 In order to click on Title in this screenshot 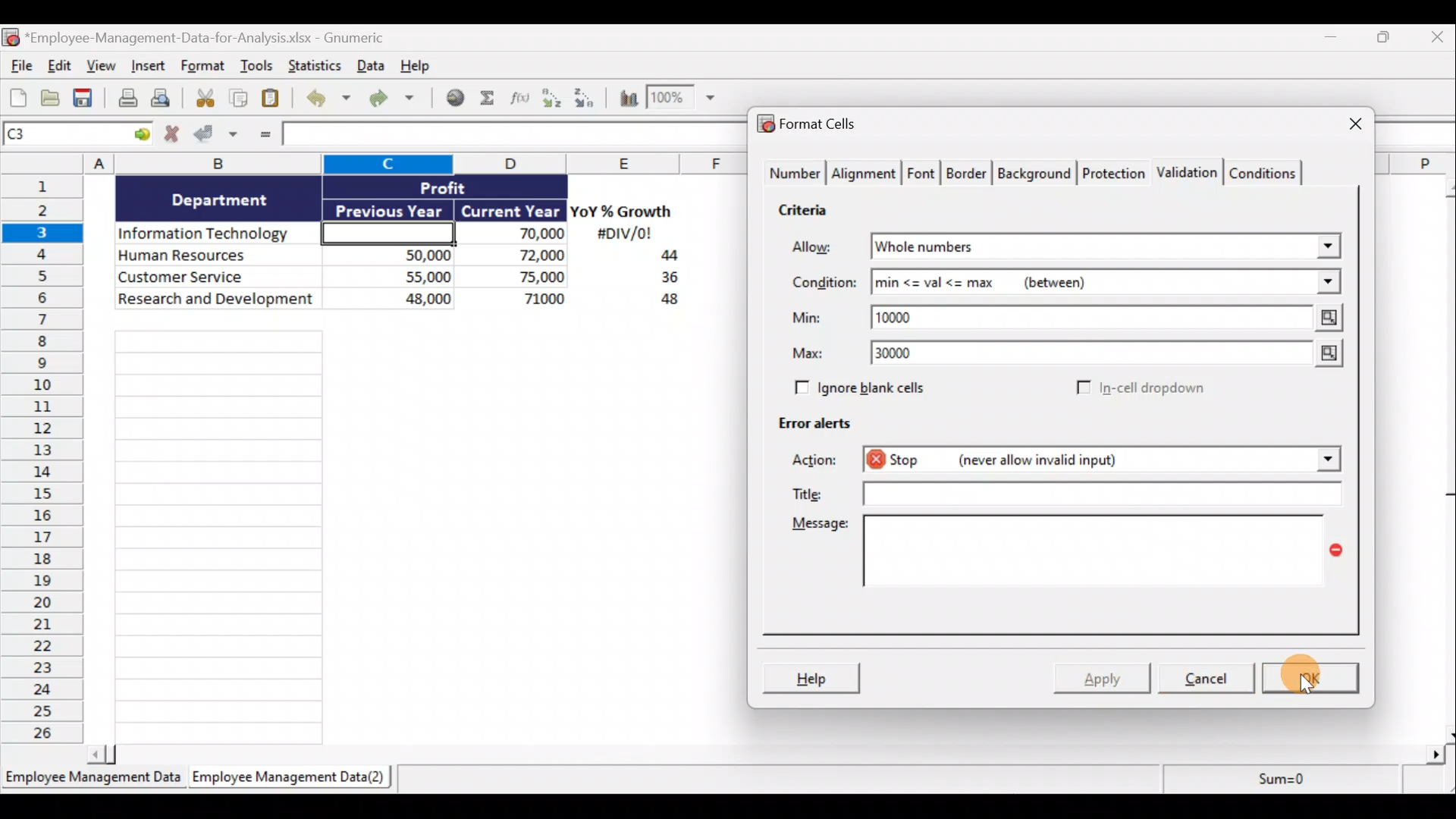, I will do `click(1072, 494)`.